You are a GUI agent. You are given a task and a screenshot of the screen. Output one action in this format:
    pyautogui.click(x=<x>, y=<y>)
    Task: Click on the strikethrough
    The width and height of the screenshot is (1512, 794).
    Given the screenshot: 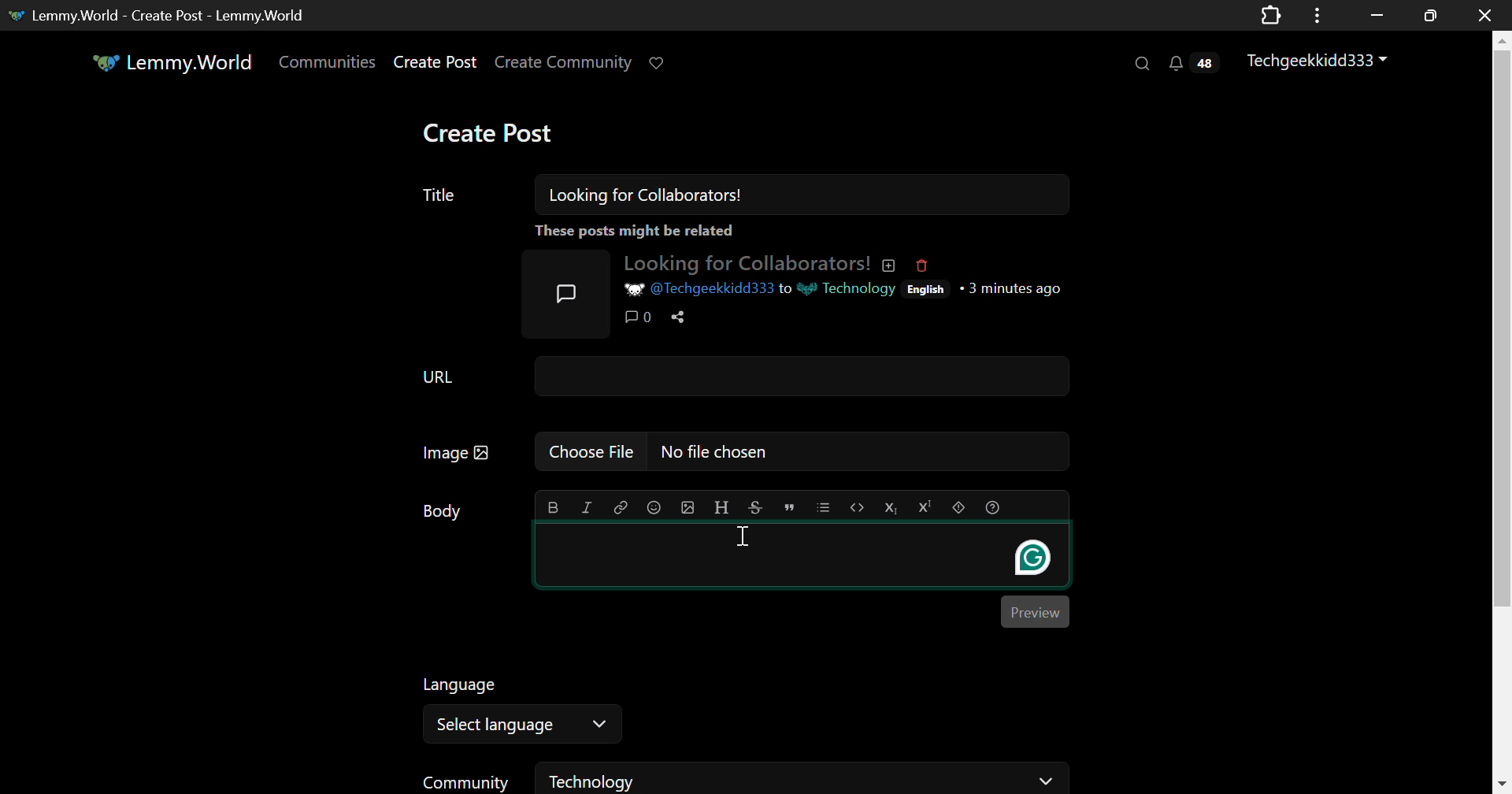 What is the action you would take?
    pyautogui.click(x=753, y=508)
    